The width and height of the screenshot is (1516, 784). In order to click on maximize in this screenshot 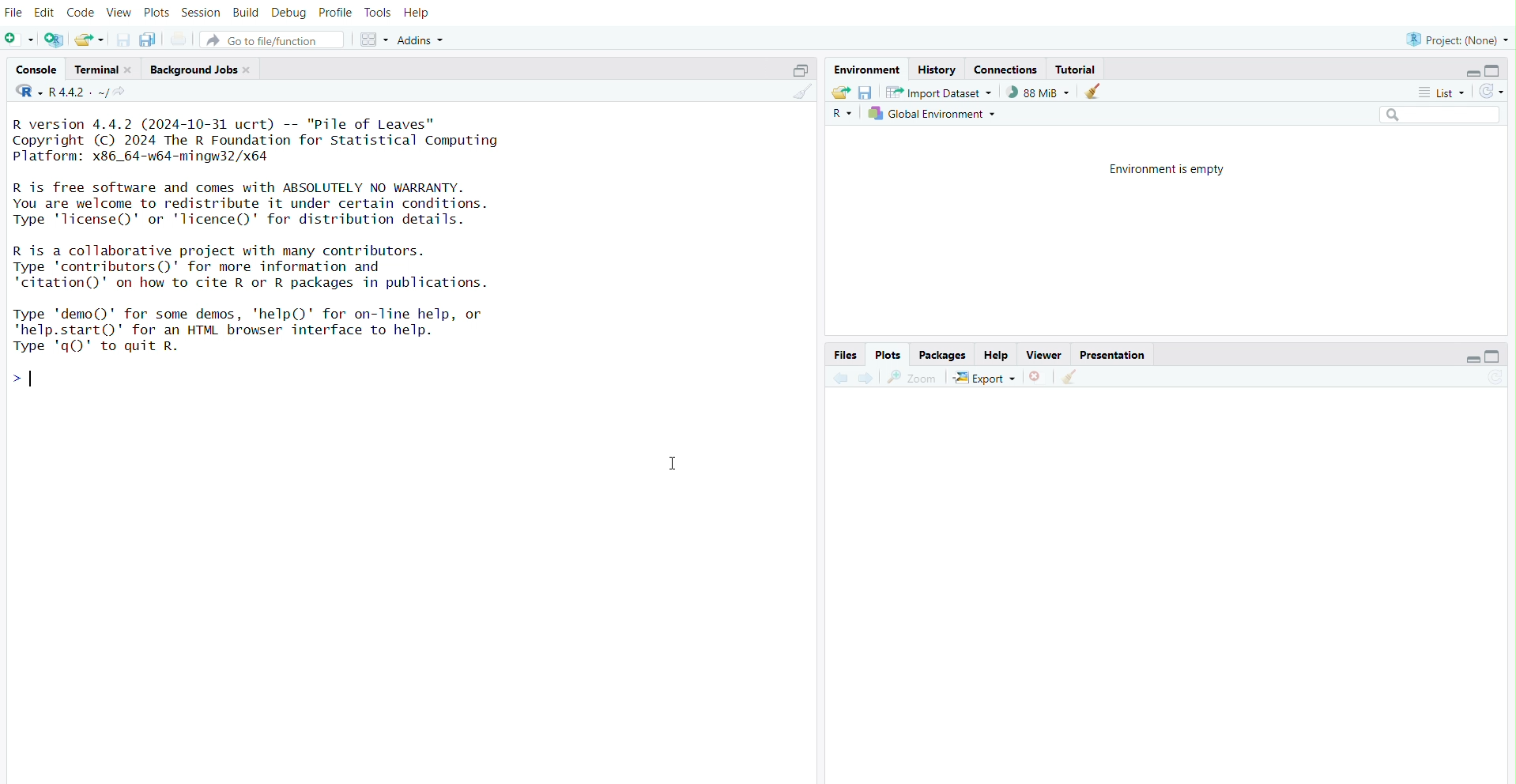, I will do `click(1501, 356)`.